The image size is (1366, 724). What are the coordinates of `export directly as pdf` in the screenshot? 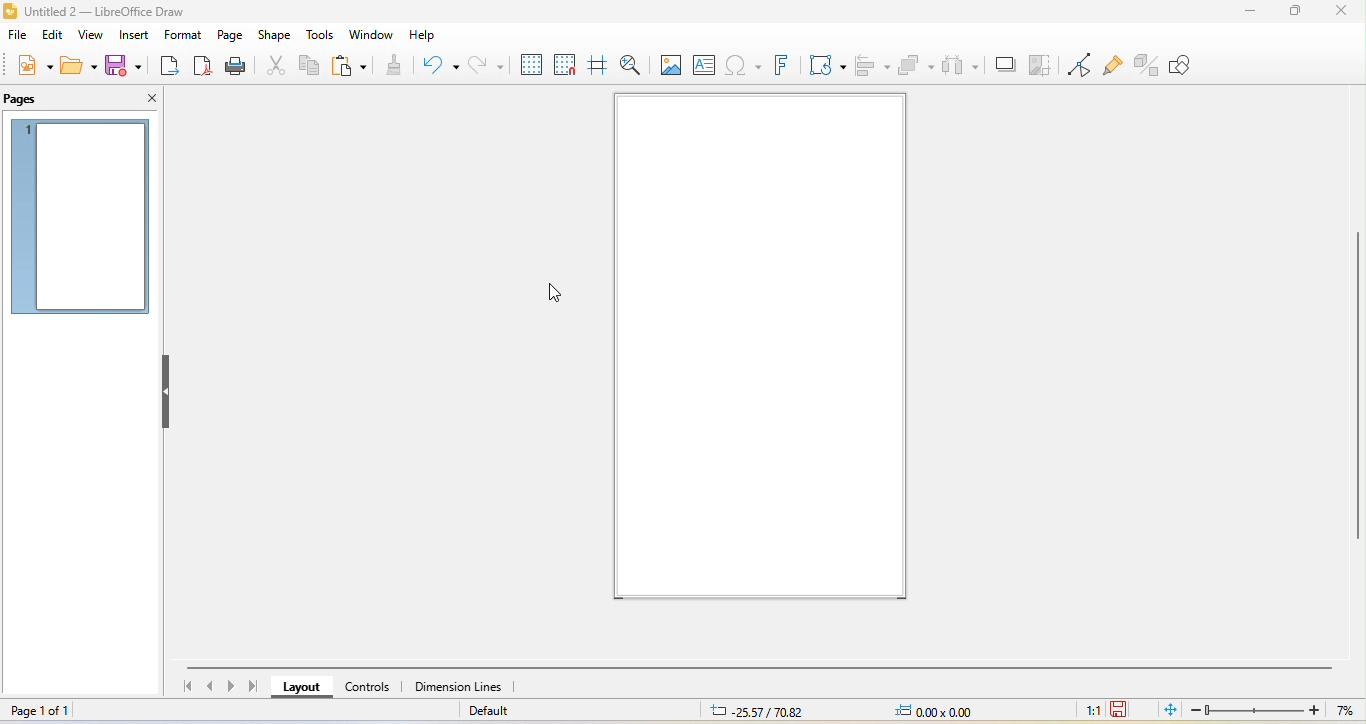 It's located at (202, 66).